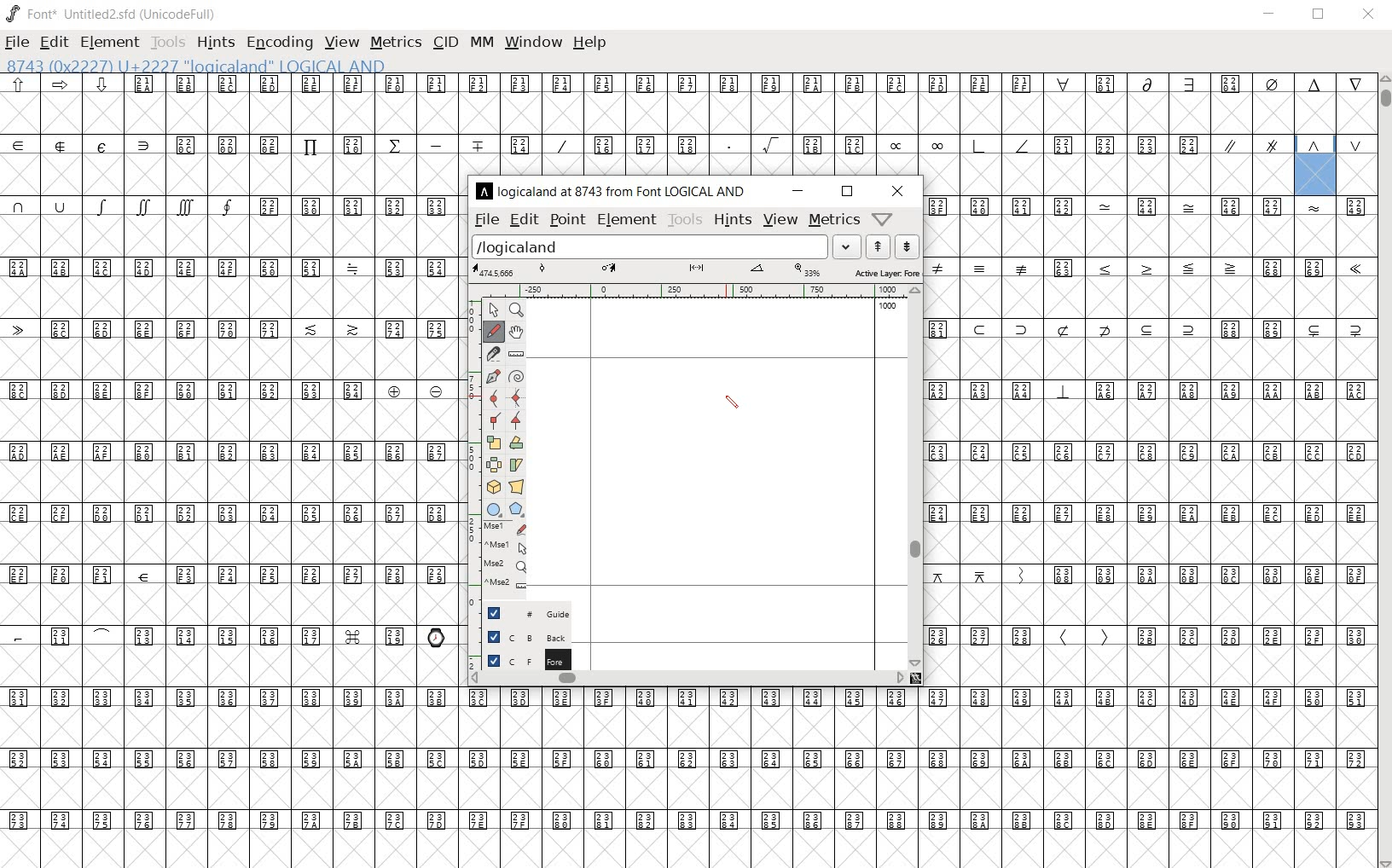  What do you see at coordinates (517, 396) in the screenshot?
I see `add a curve point always either horizontal or vertical` at bounding box center [517, 396].